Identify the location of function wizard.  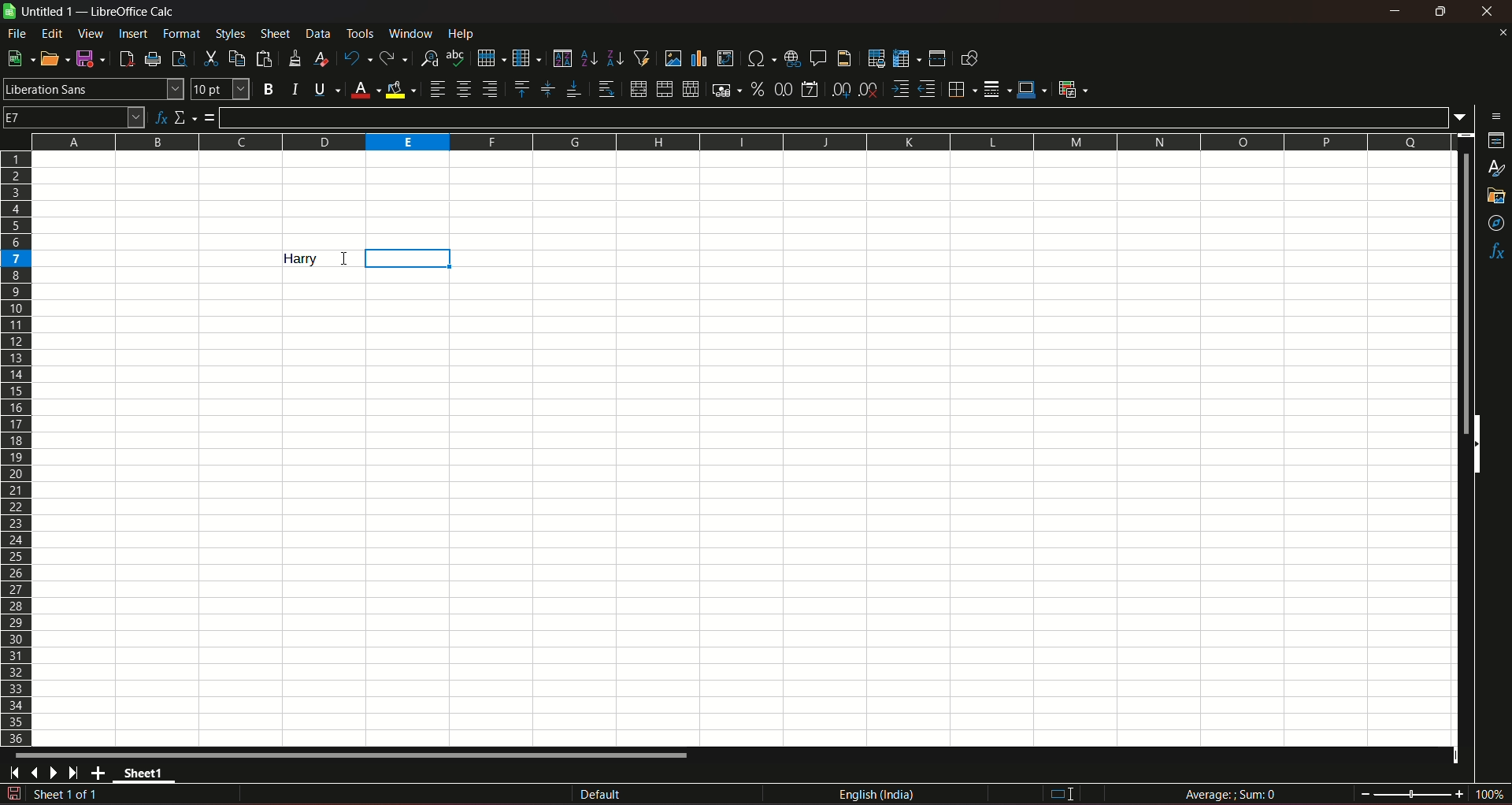
(159, 118).